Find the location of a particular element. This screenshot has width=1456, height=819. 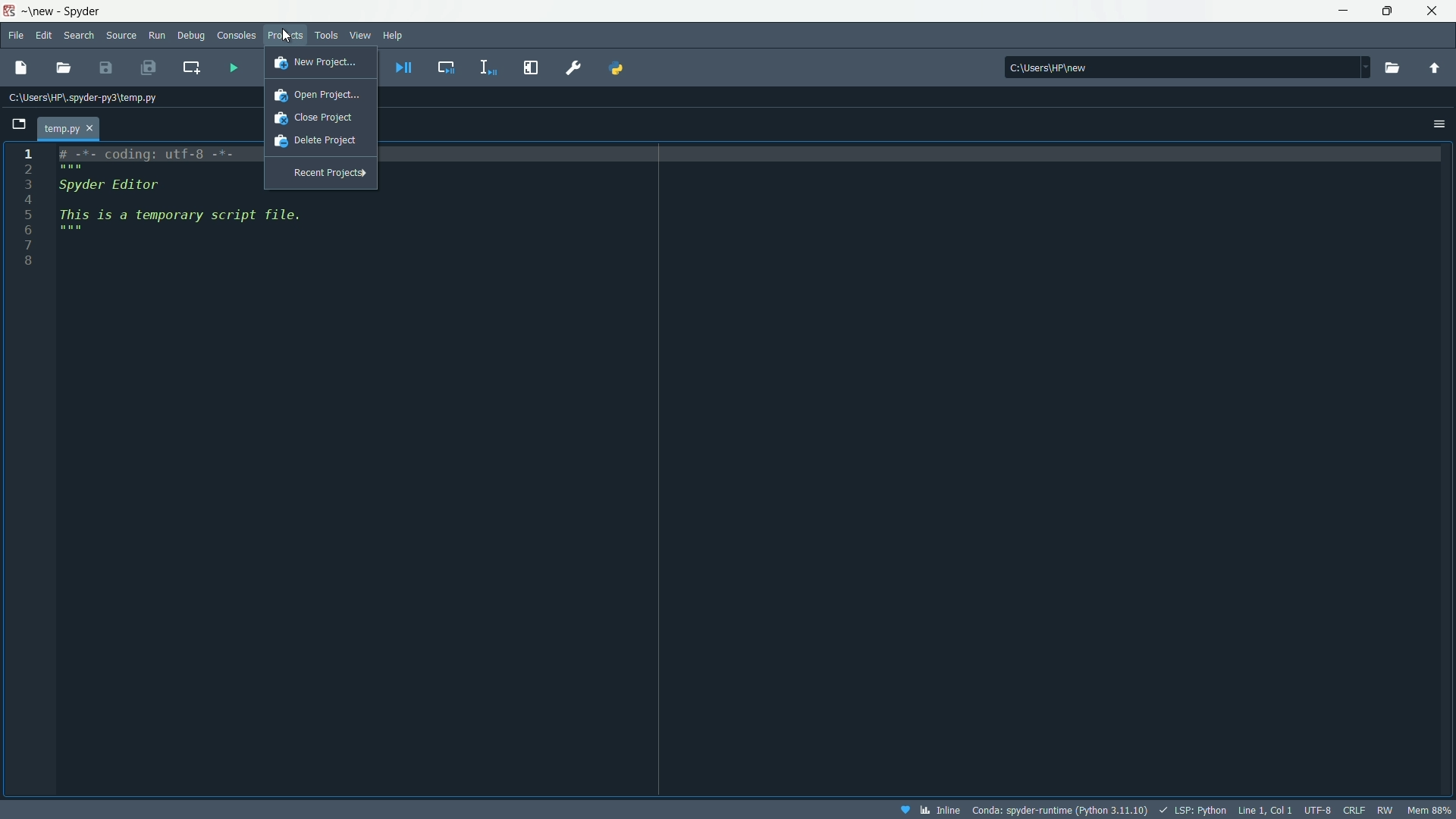

LSP:Python is located at coordinates (1191, 808).